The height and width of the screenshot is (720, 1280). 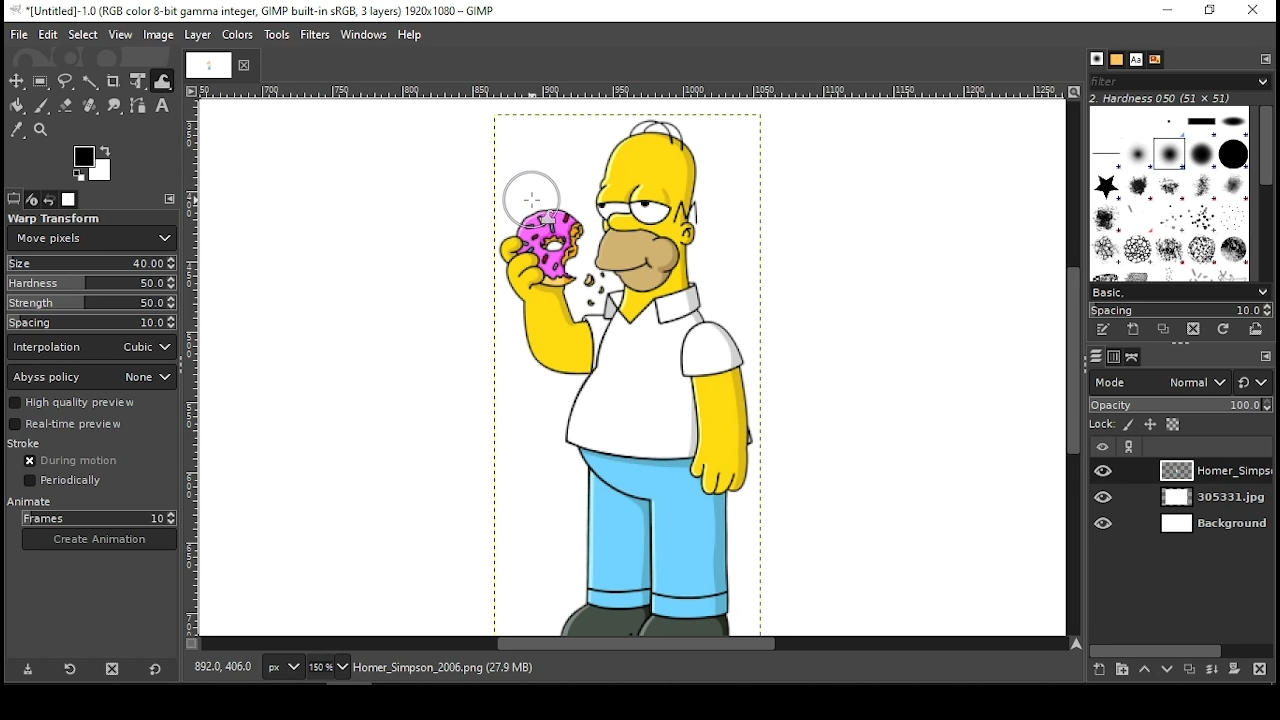 I want to click on duplicate layer, so click(x=1188, y=671).